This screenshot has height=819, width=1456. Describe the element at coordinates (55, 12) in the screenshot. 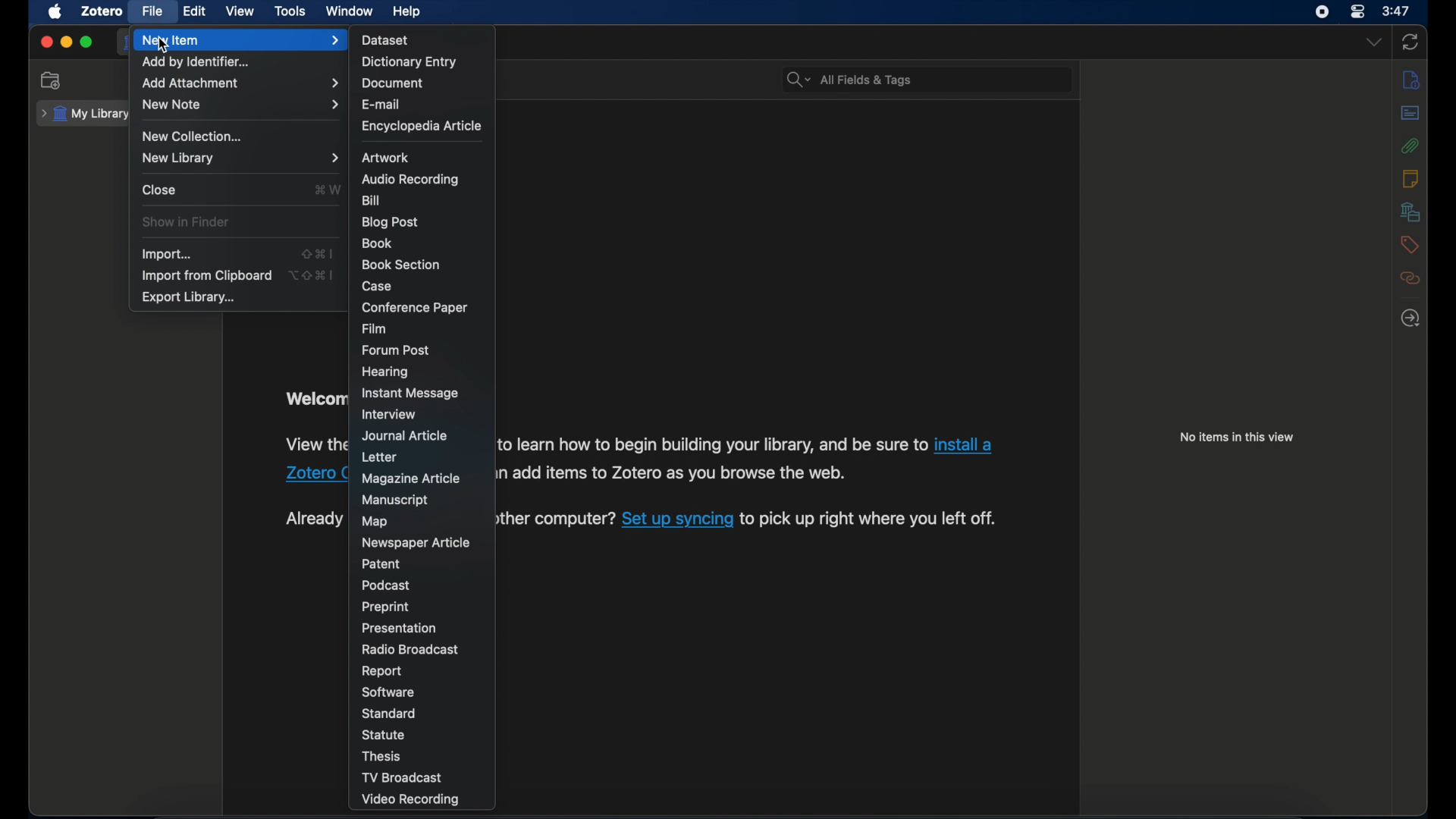

I see `apple` at that location.